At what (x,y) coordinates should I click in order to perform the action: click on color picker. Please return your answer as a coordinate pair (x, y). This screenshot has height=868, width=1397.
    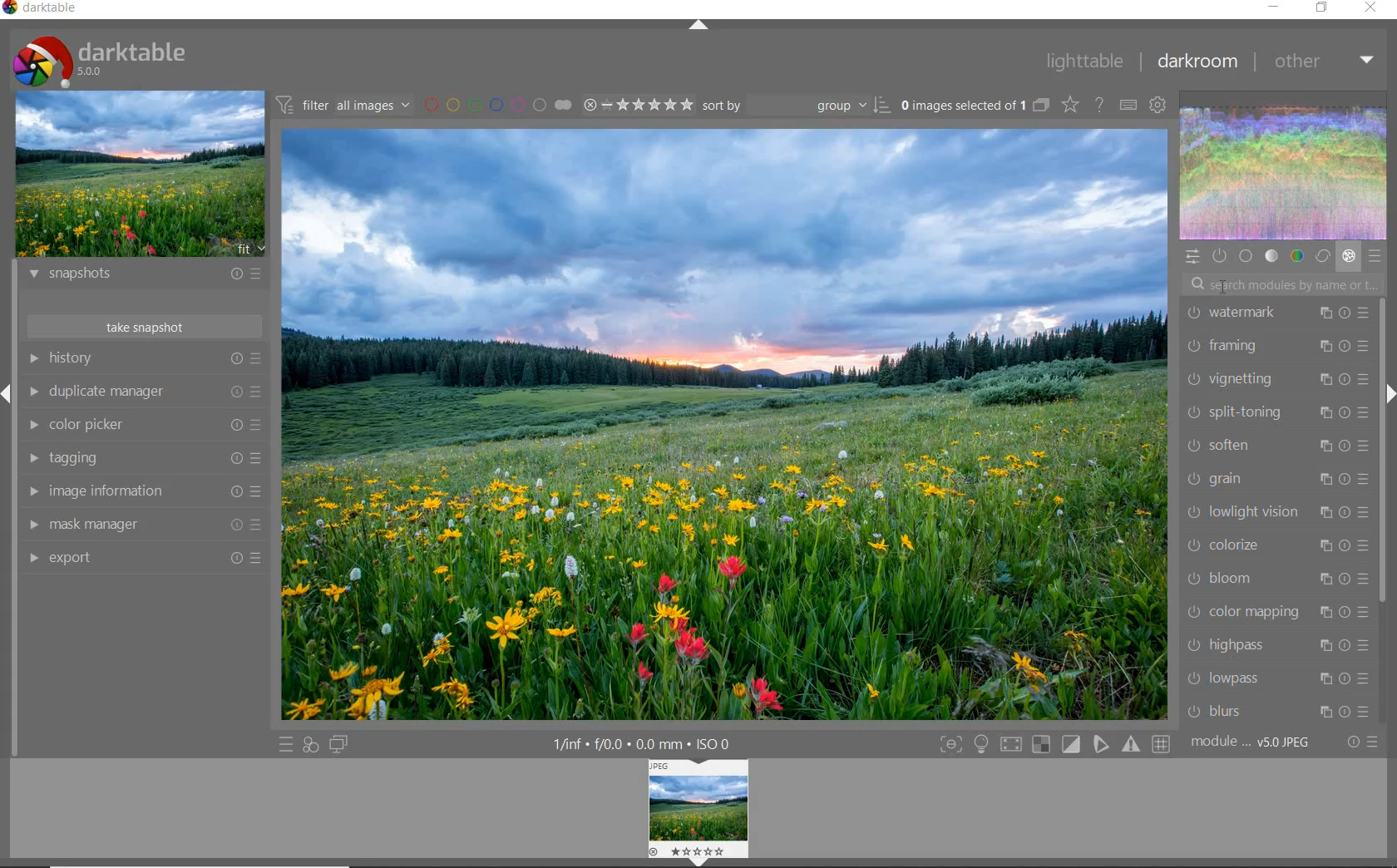
    Looking at the image, I should click on (142, 426).